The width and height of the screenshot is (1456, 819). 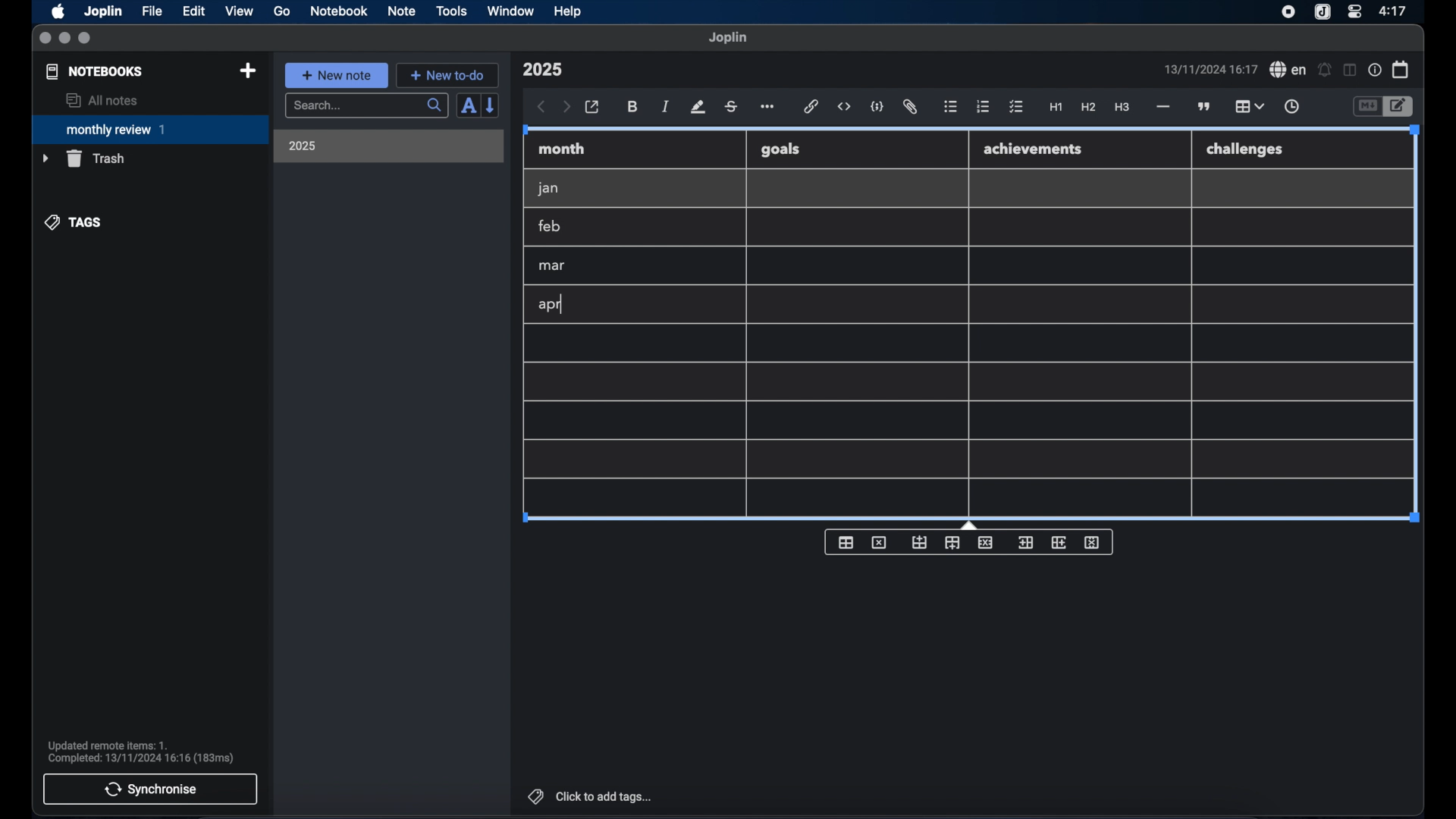 I want to click on open in external editor, so click(x=593, y=108).